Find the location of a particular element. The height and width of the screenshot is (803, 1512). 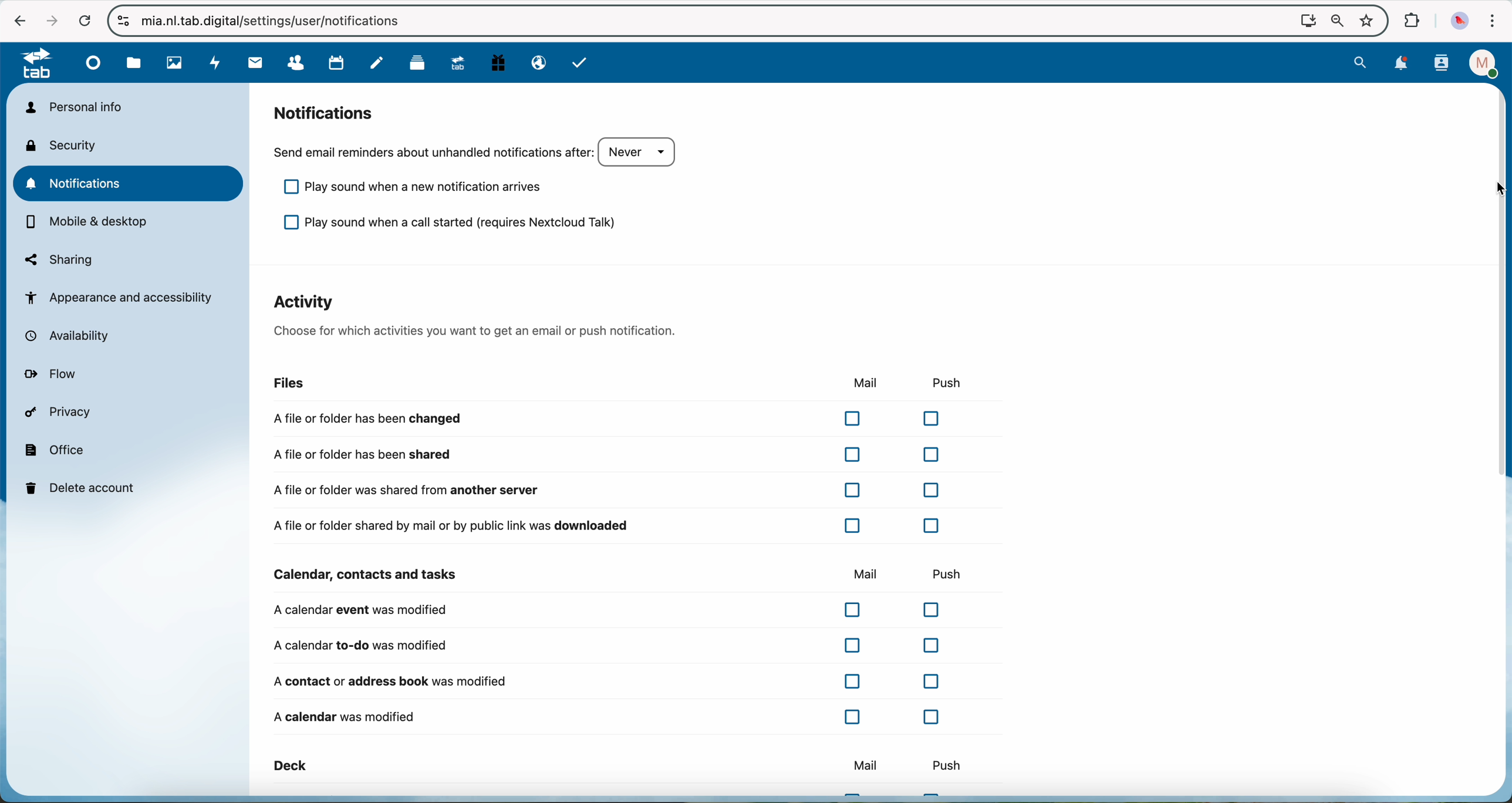

task is located at coordinates (581, 64).